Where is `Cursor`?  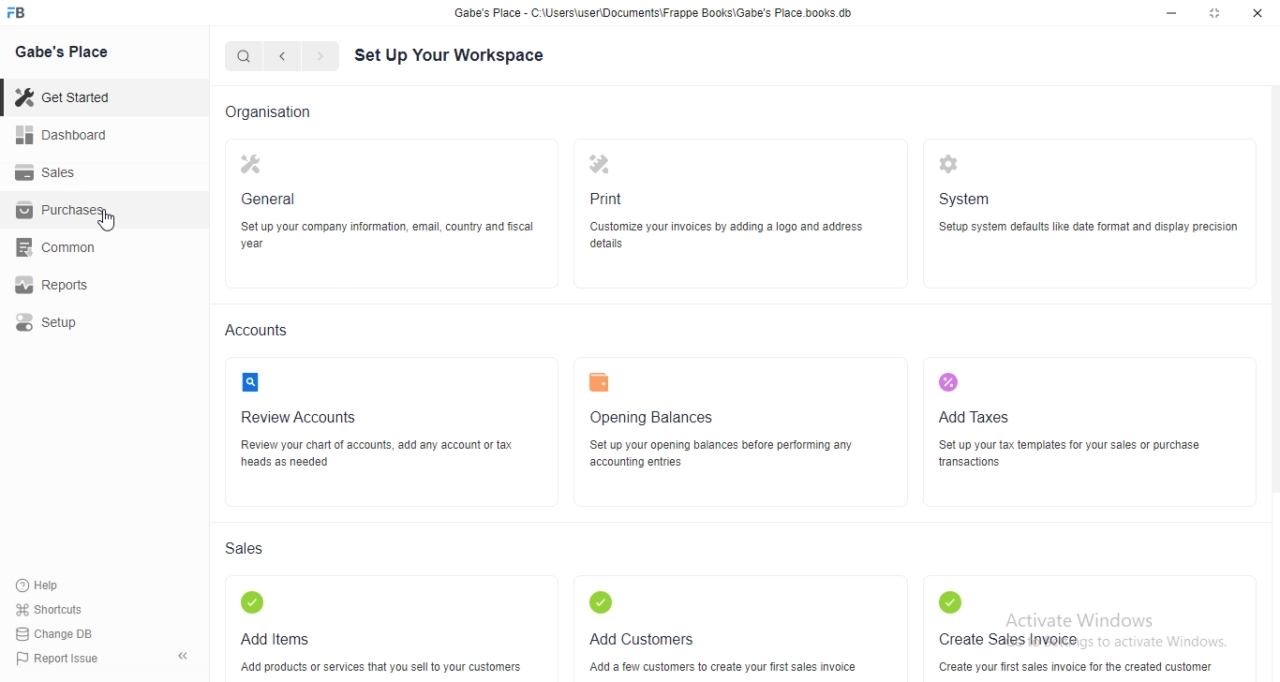
Cursor is located at coordinates (106, 221).